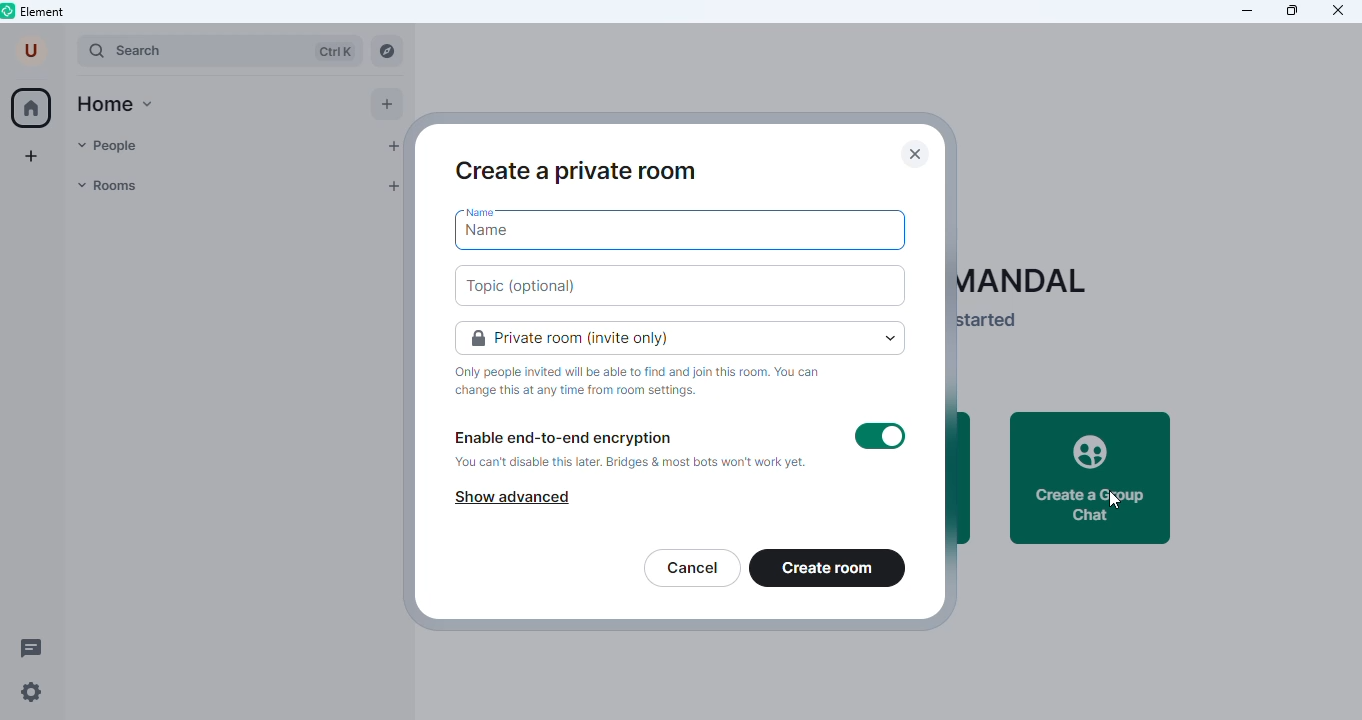 This screenshot has width=1362, height=720. What do you see at coordinates (644, 388) in the screenshot?
I see `text on private room` at bounding box center [644, 388].